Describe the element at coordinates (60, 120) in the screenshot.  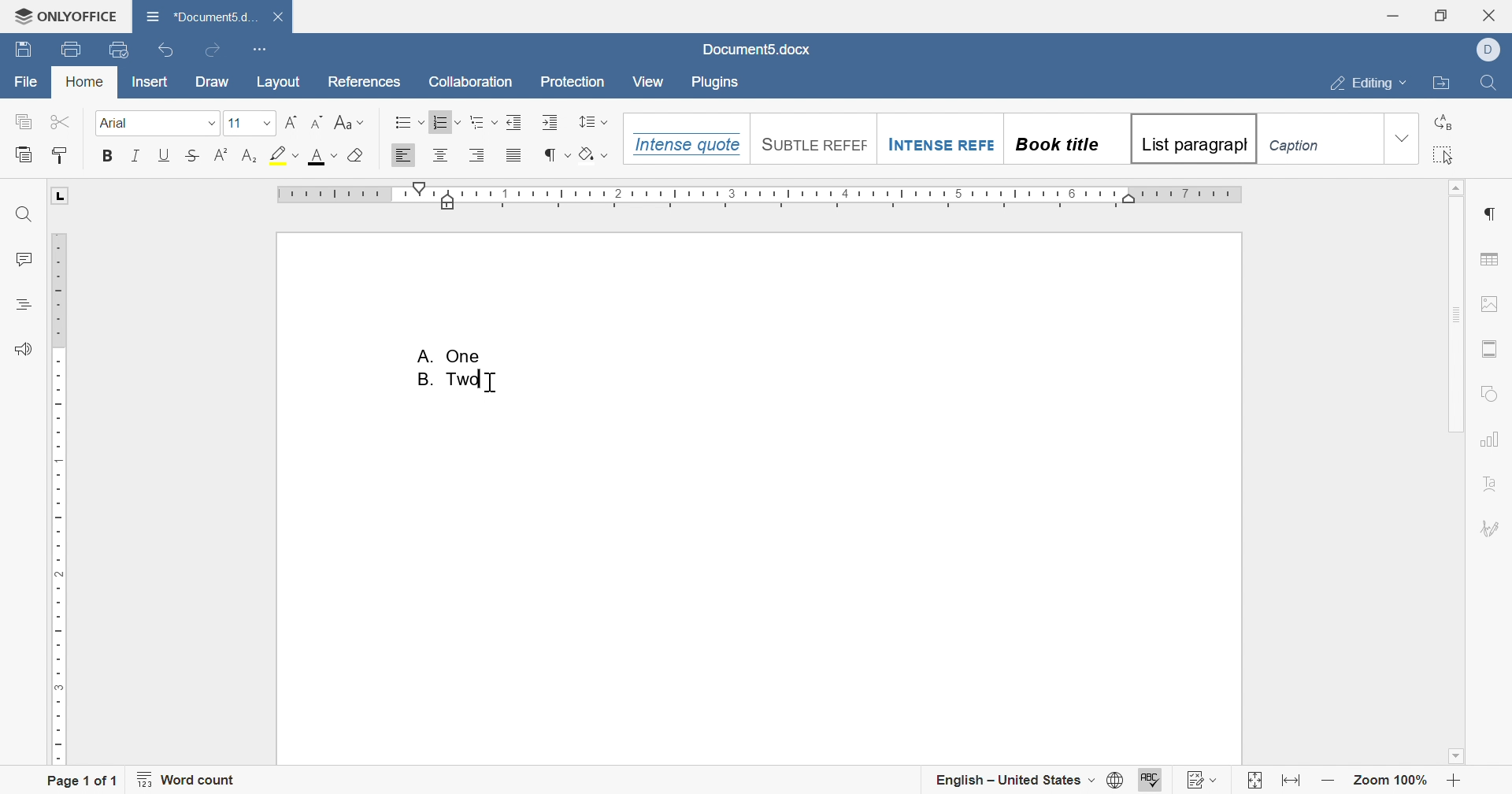
I see `cut` at that location.